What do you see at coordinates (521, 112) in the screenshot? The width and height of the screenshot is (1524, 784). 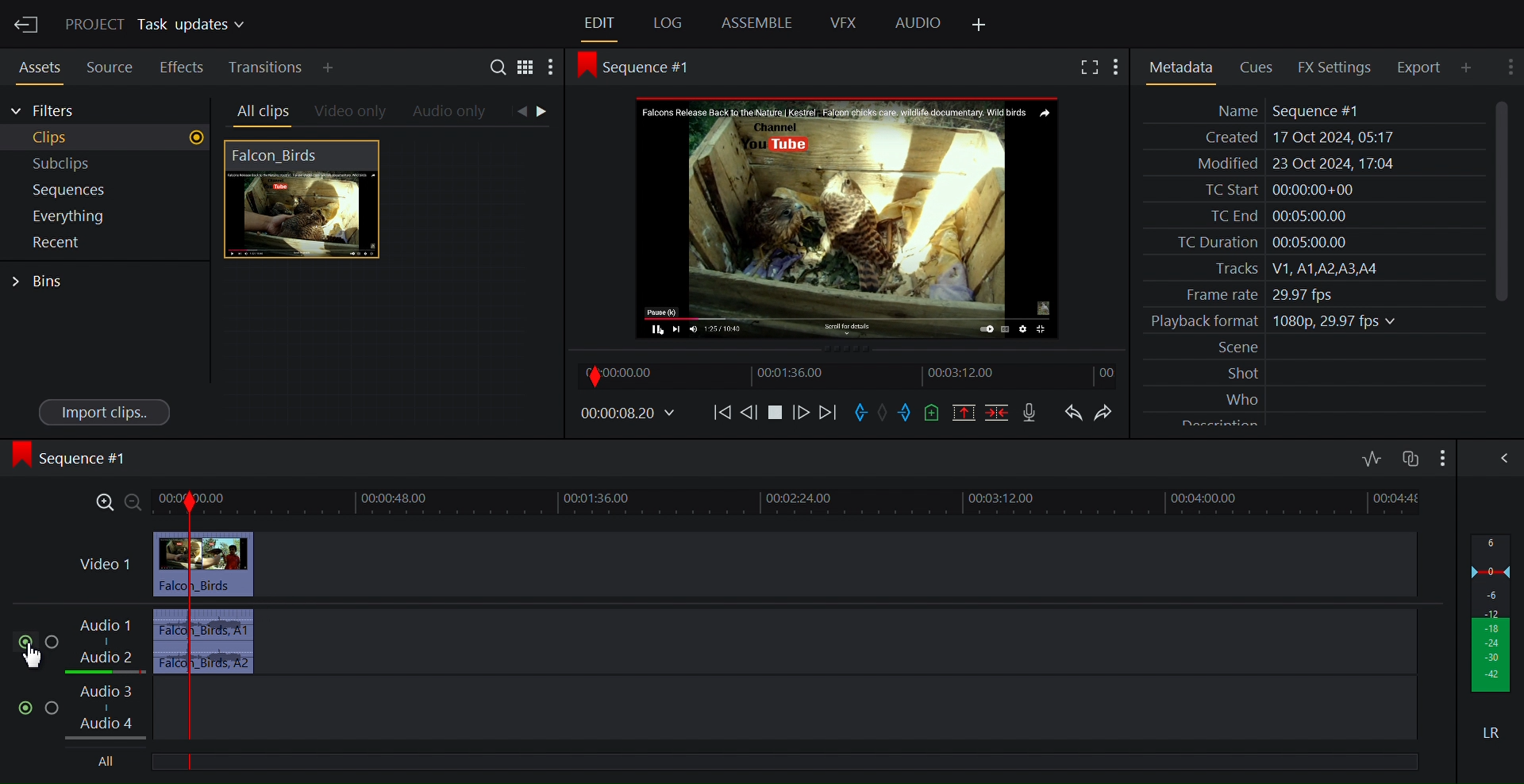 I see `Click to go back` at bounding box center [521, 112].